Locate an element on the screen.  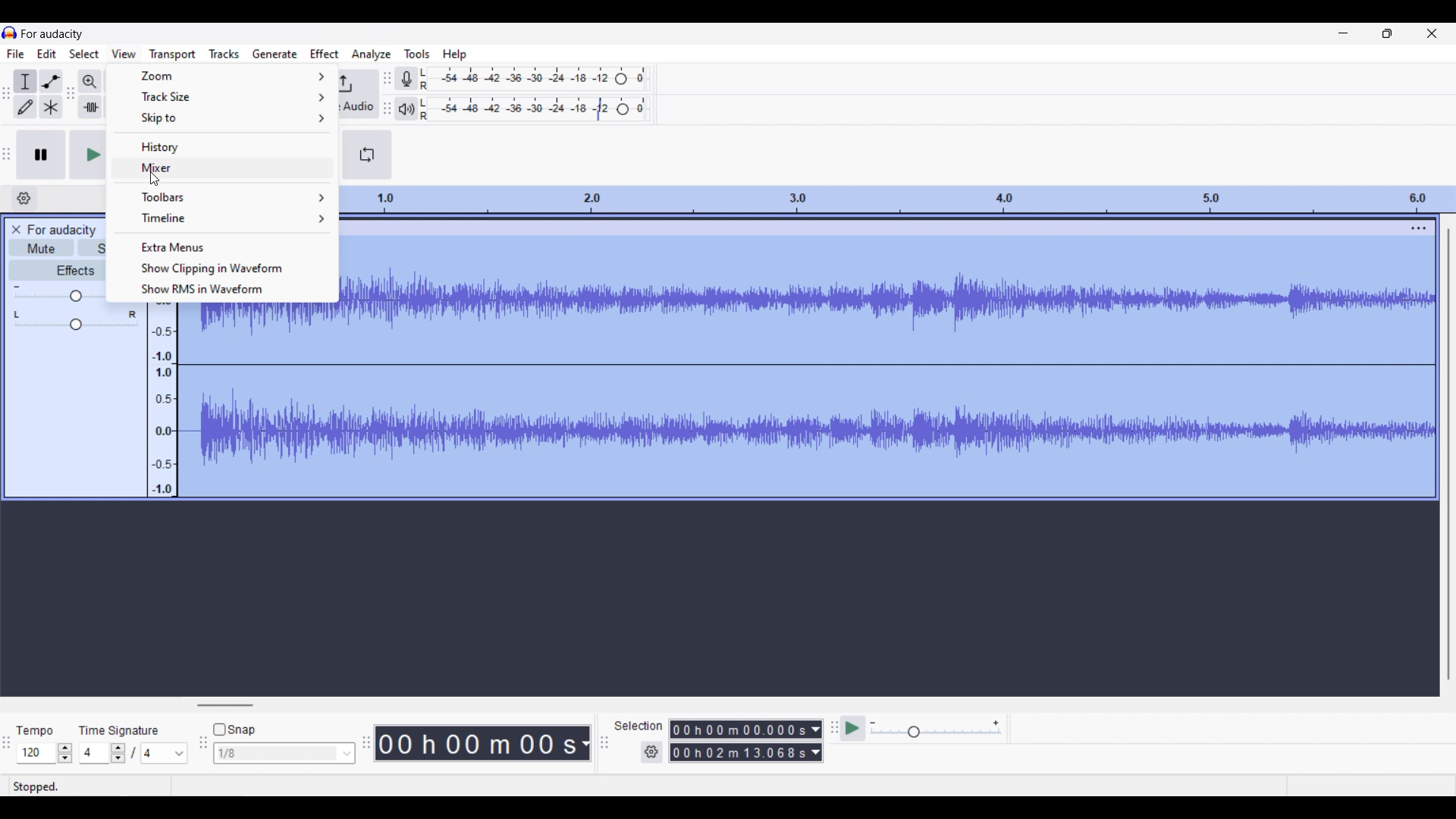
View menu is located at coordinates (124, 53).